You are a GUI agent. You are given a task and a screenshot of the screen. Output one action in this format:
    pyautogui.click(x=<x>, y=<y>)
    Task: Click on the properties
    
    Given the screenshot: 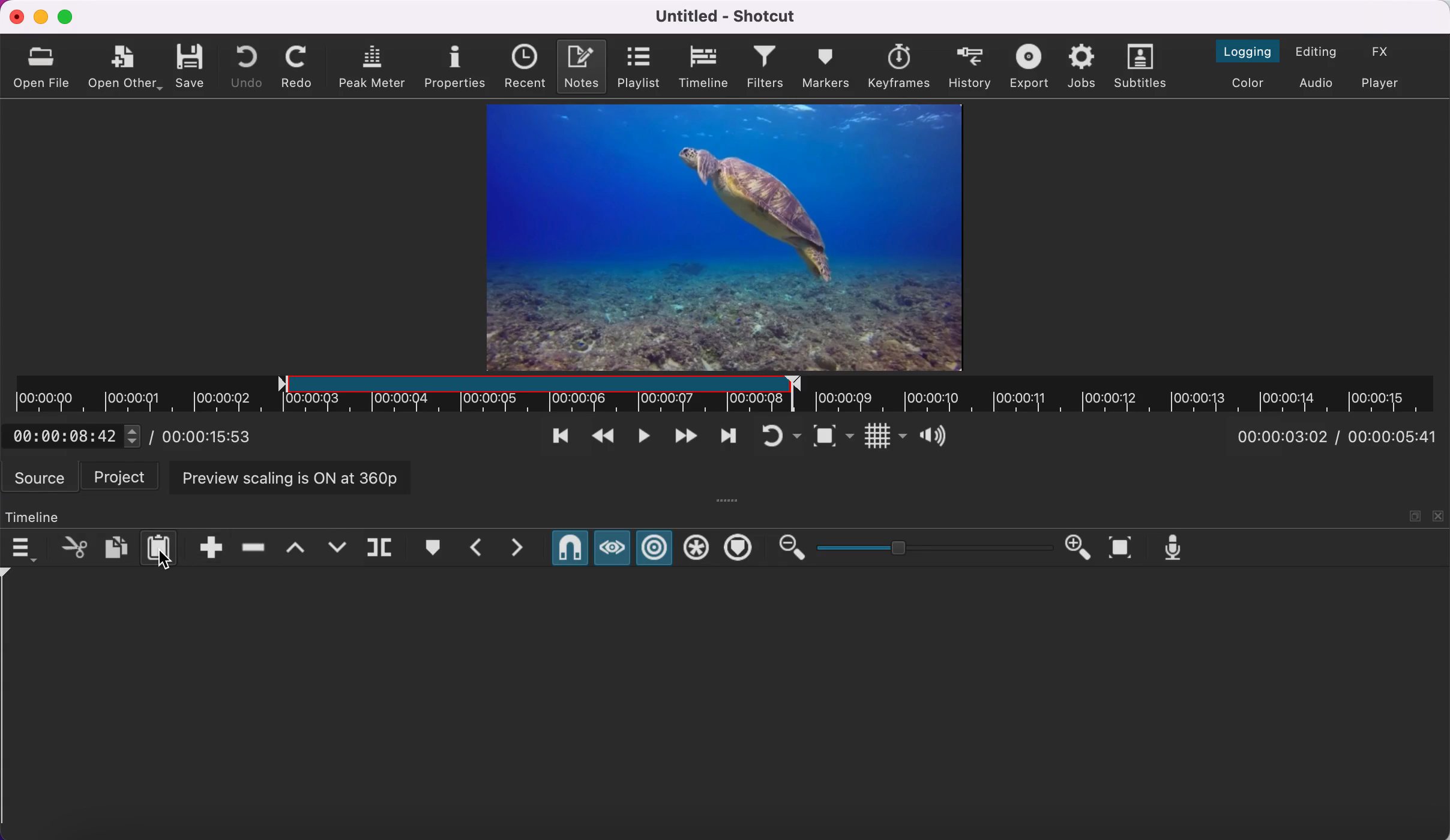 What is the action you would take?
    pyautogui.click(x=456, y=65)
    